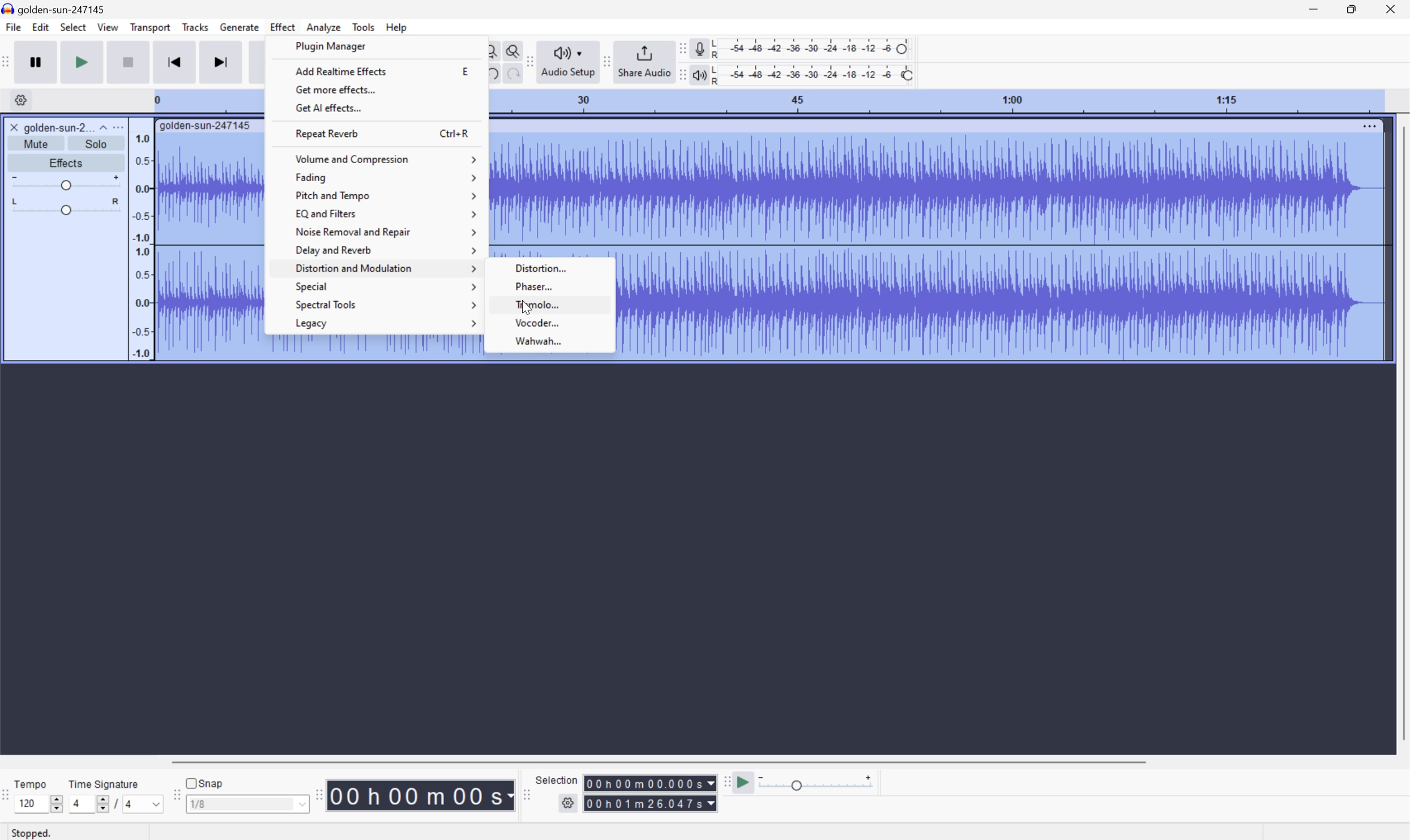 The height and width of the screenshot is (840, 1410). I want to click on Time, so click(421, 794).